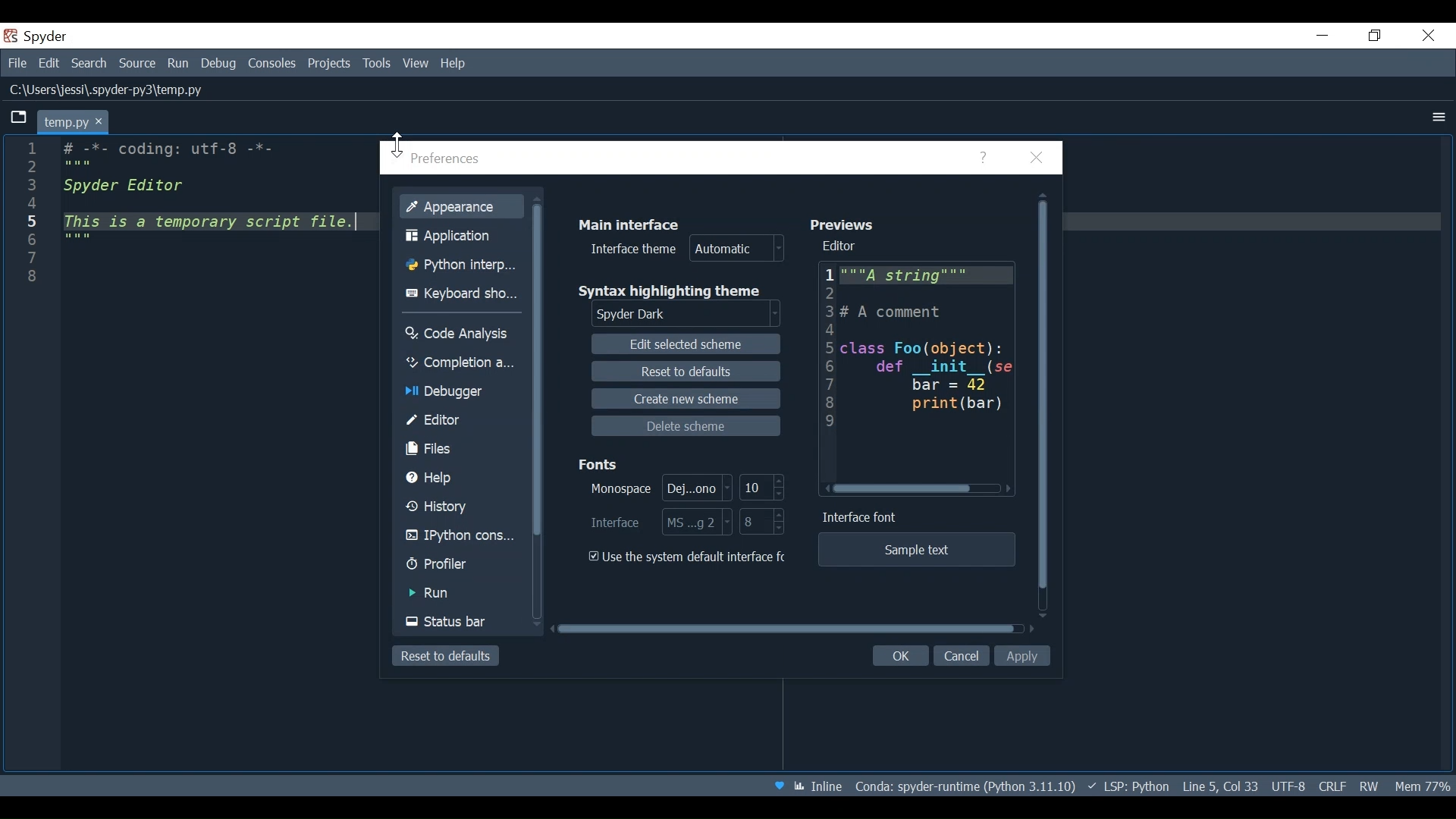 Image resolution: width=1456 pixels, height=819 pixels. What do you see at coordinates (690, 557) in the screenshot?
I see `(un)check Use the systems default interface font` at bounding box center [690, 557].